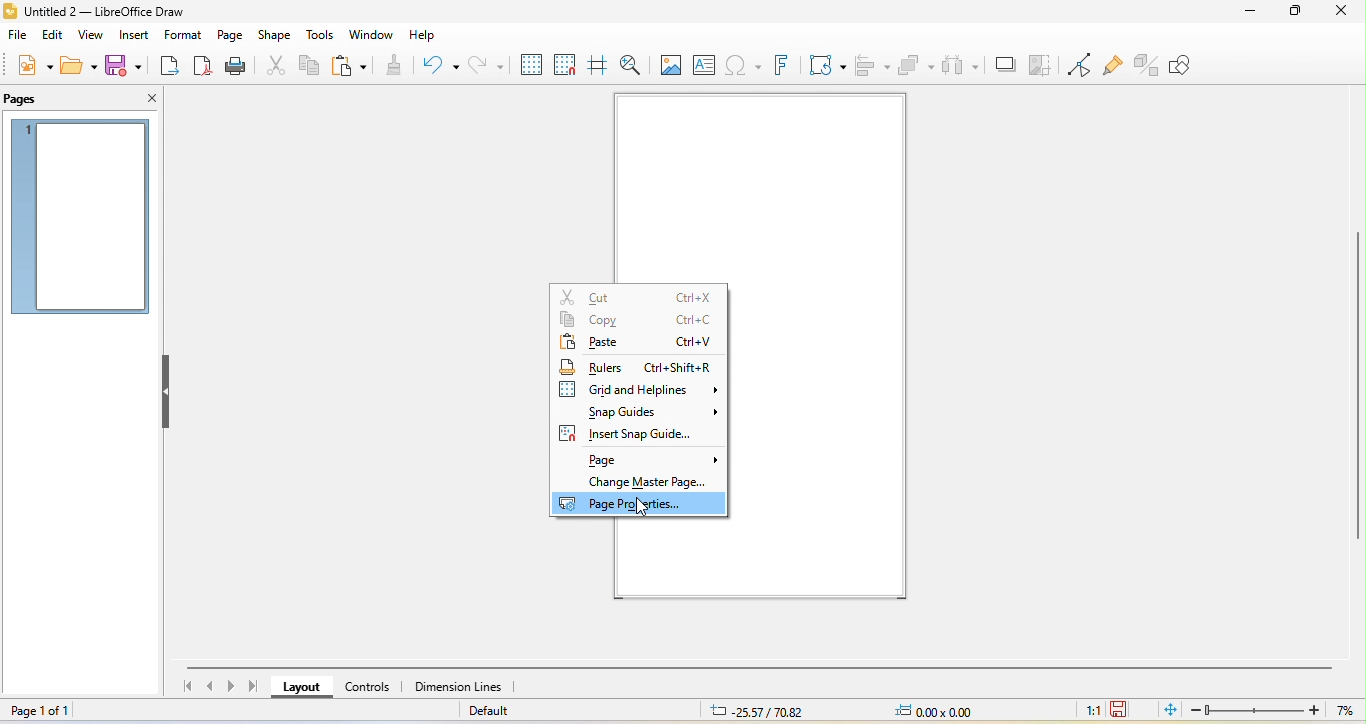 The width and height of the screenshot is (1366, 724). I want to click on save, so click(127, 64).